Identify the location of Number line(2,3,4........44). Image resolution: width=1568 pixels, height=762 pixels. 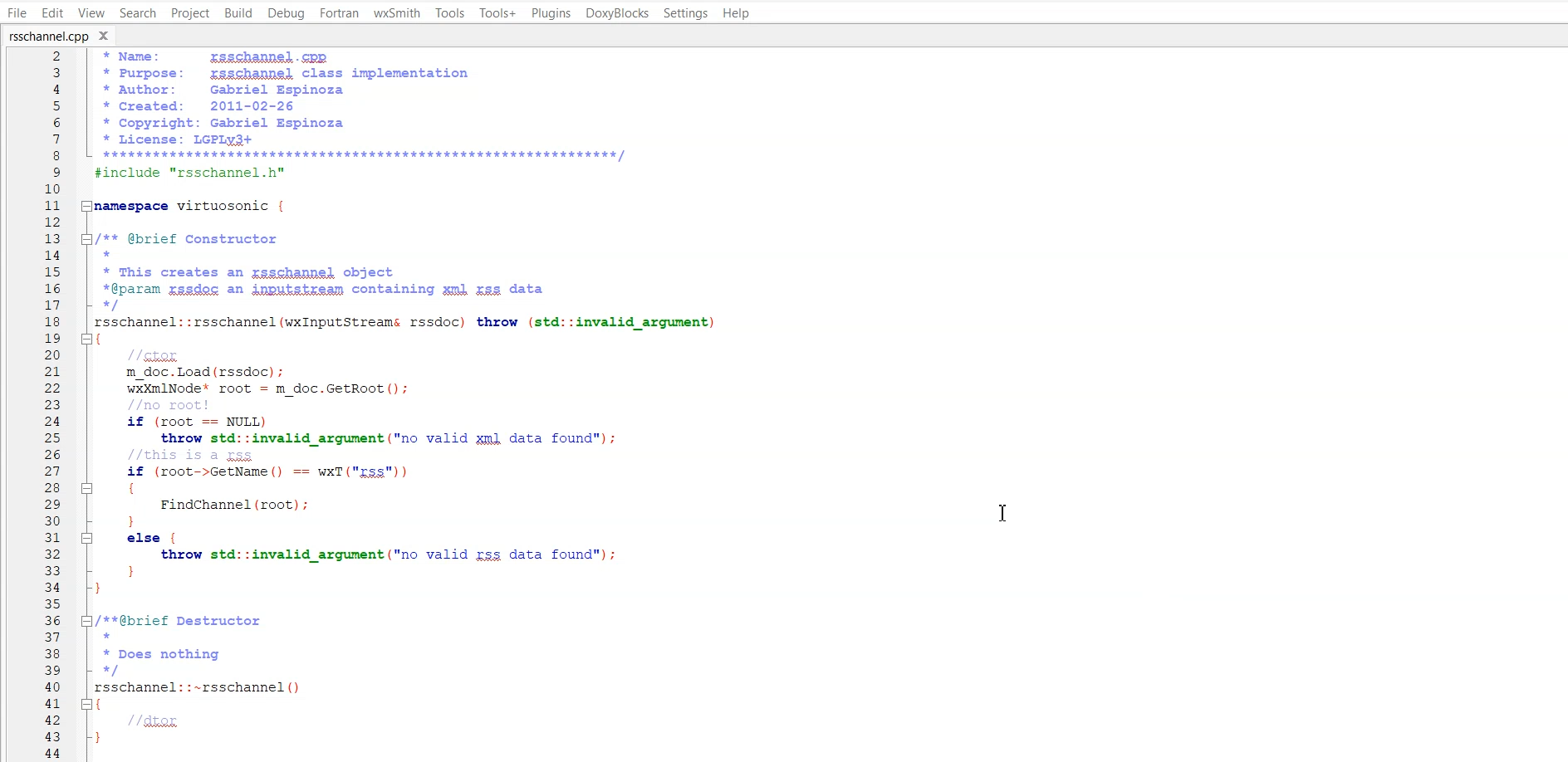
(53, 405).